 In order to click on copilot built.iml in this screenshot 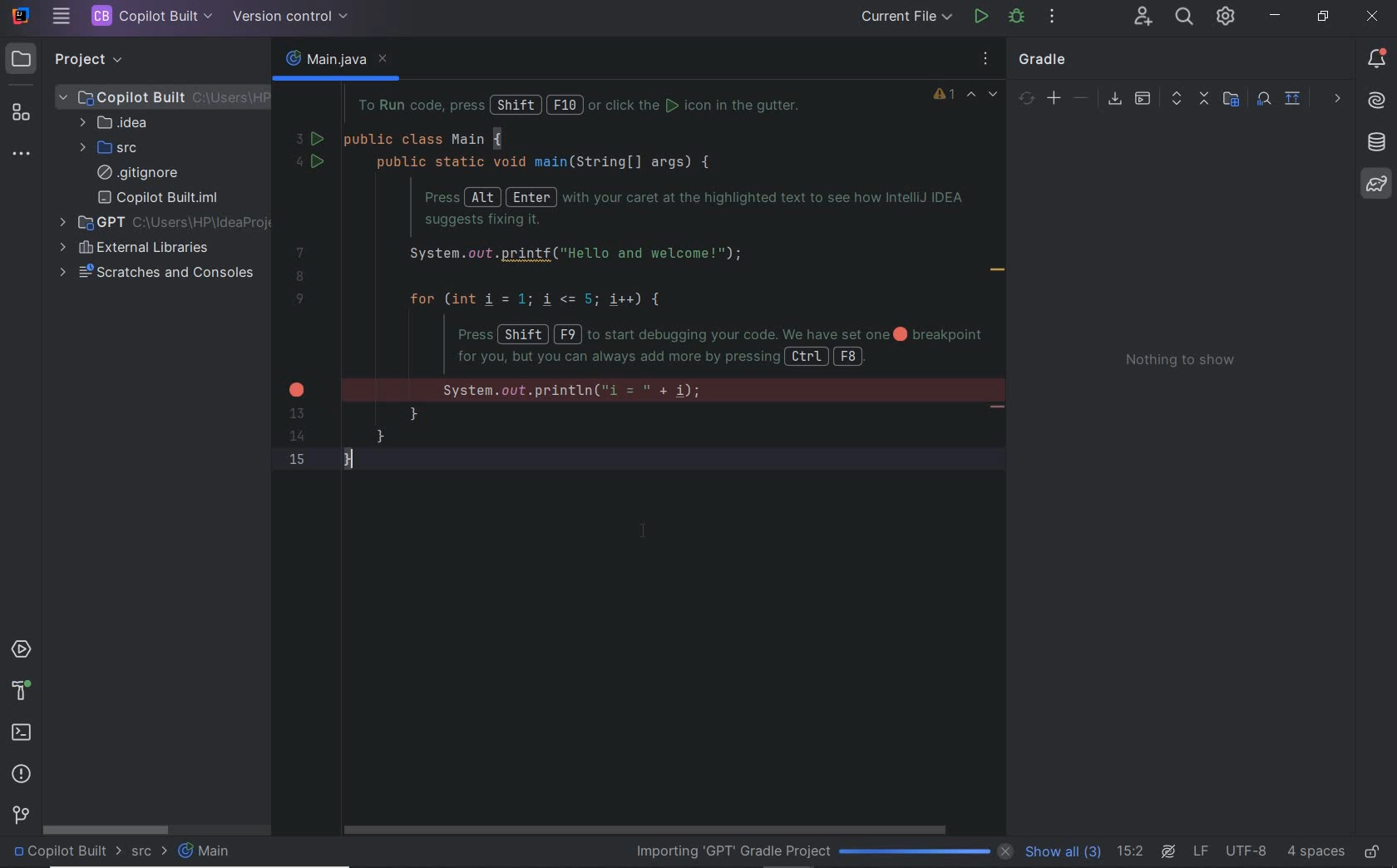, I will do `click(160, 198)`.